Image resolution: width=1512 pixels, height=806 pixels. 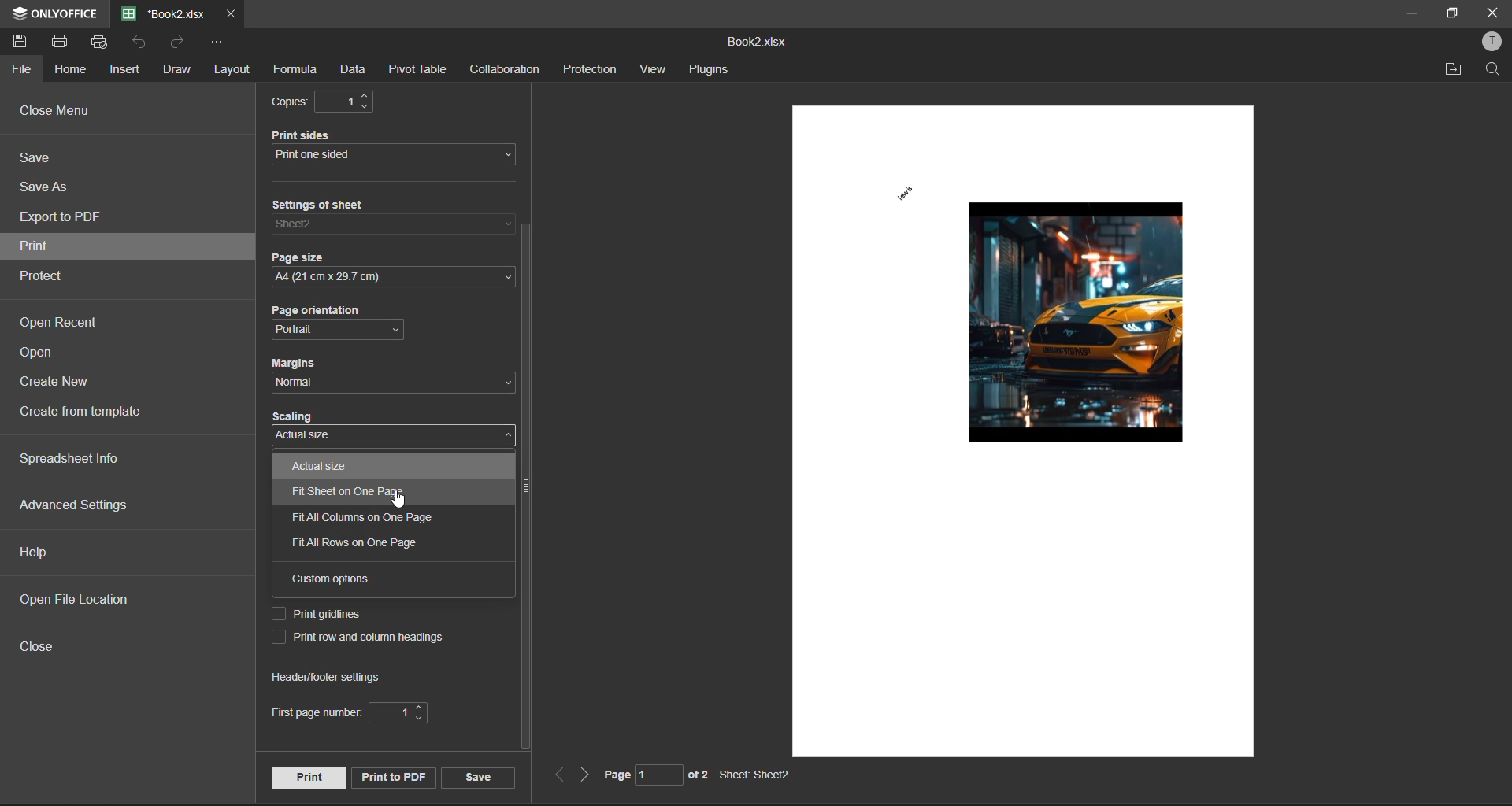 I want to click on print one sided, so click(x=383, y=156).